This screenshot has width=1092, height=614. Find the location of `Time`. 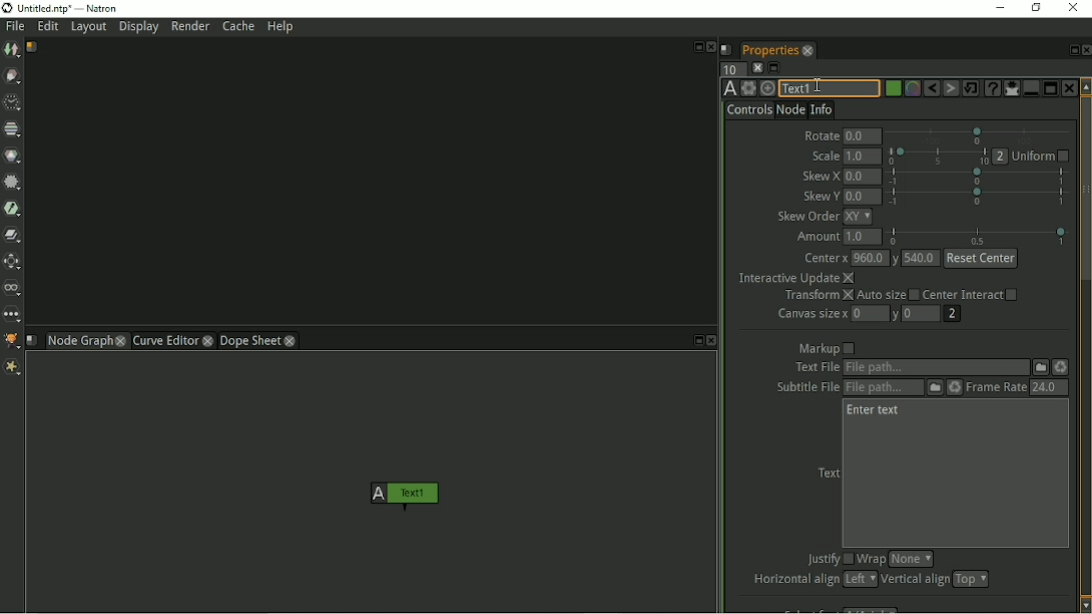

Time is located at coordinates (12, 103).